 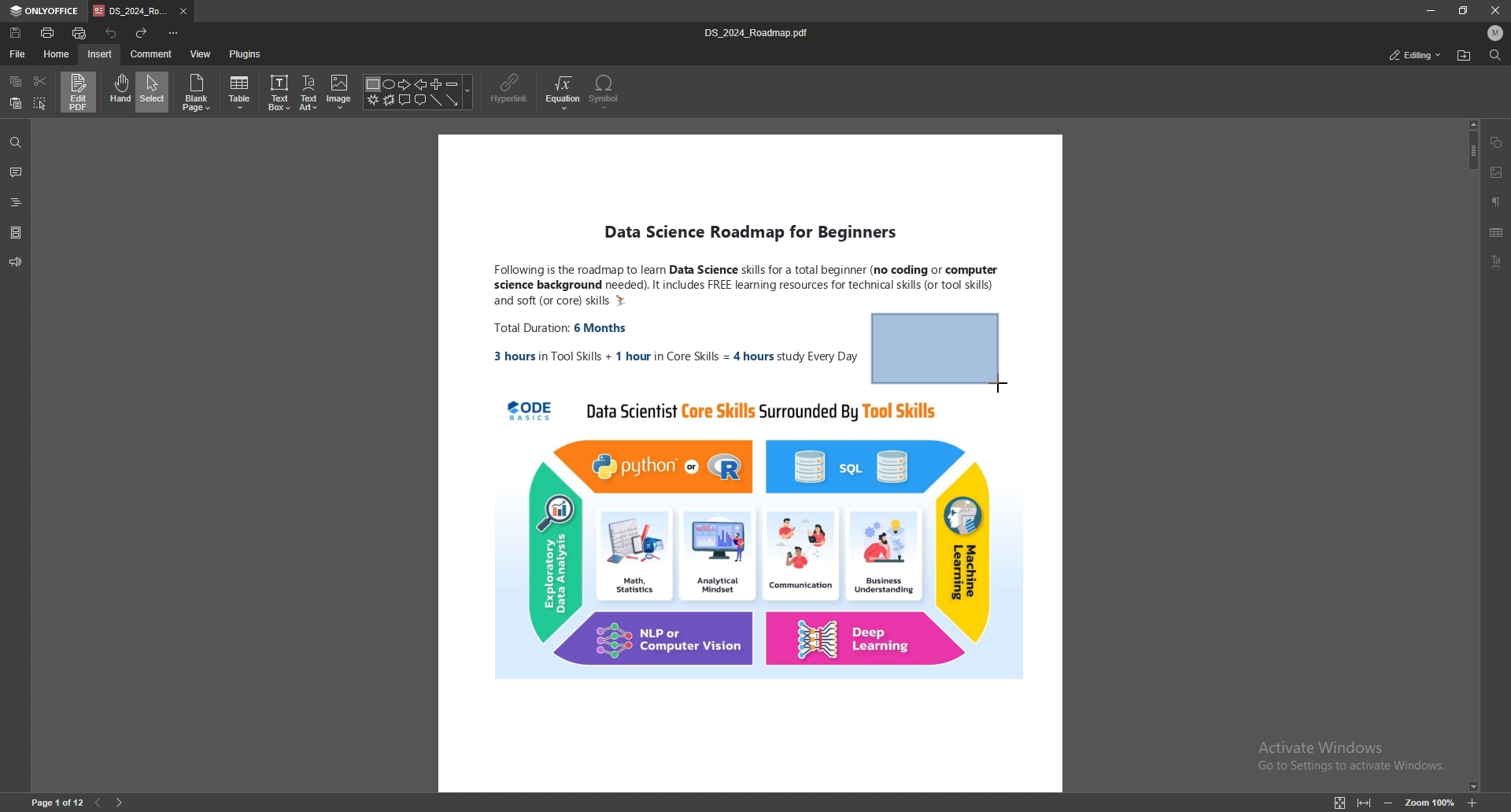 What do you see at coordinates (99, 55) in the screenshot?
I see `insert` at bounding box center [99, 55].